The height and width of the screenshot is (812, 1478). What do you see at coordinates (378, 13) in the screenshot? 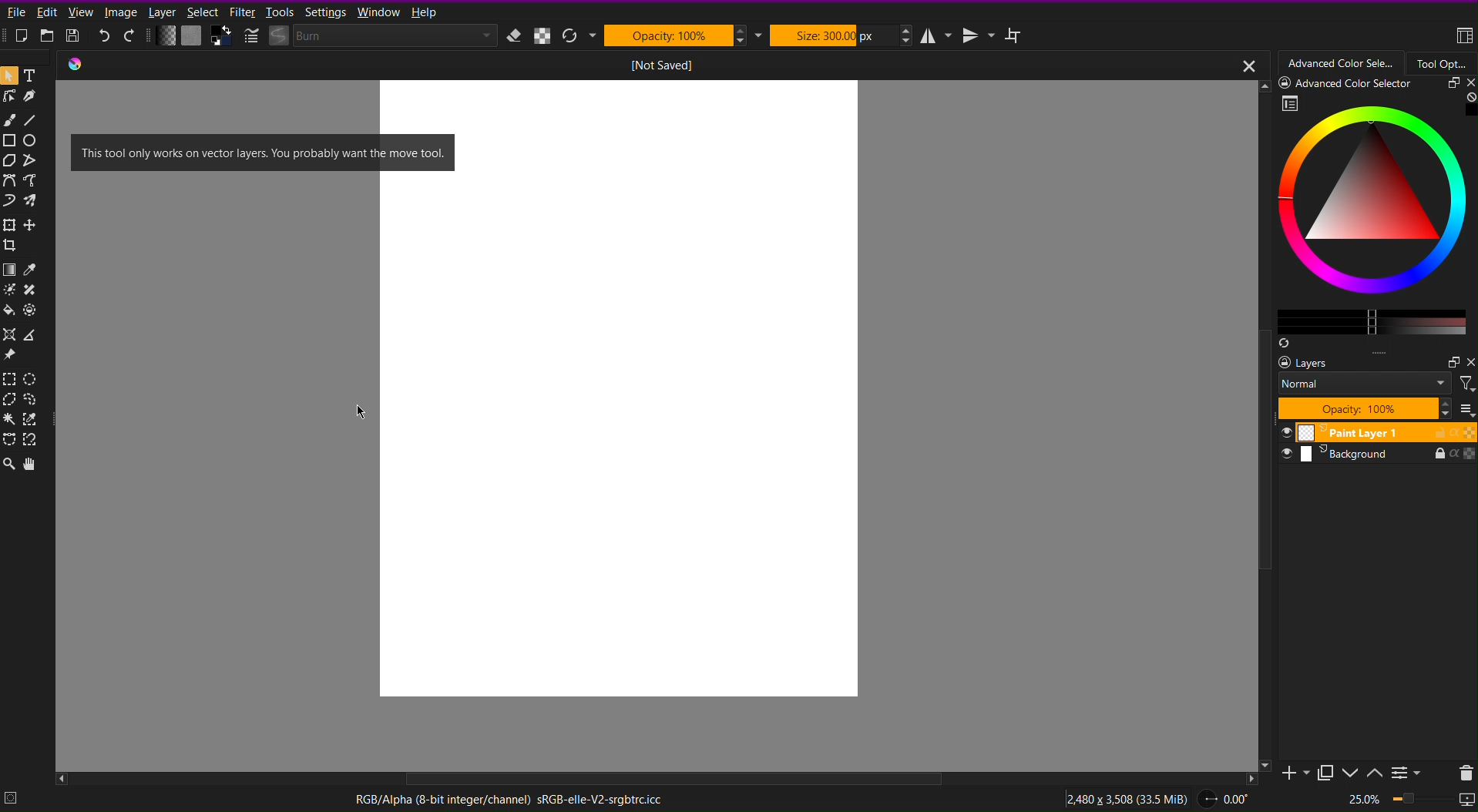
I see `Window` at bounding box center [378, 13].